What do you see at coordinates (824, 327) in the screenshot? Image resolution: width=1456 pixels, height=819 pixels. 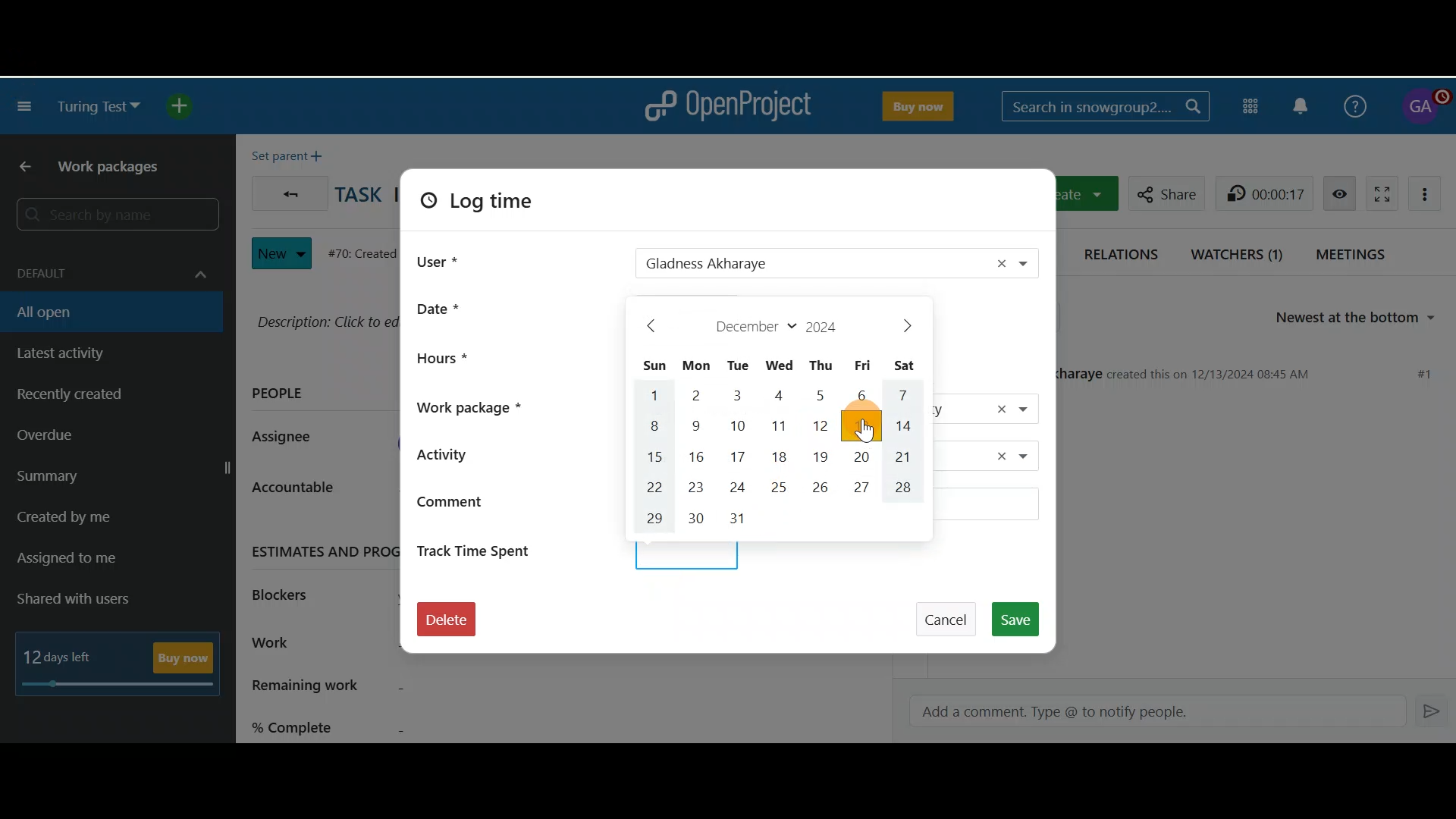 I see `2024` at bounding box center [824, 327].